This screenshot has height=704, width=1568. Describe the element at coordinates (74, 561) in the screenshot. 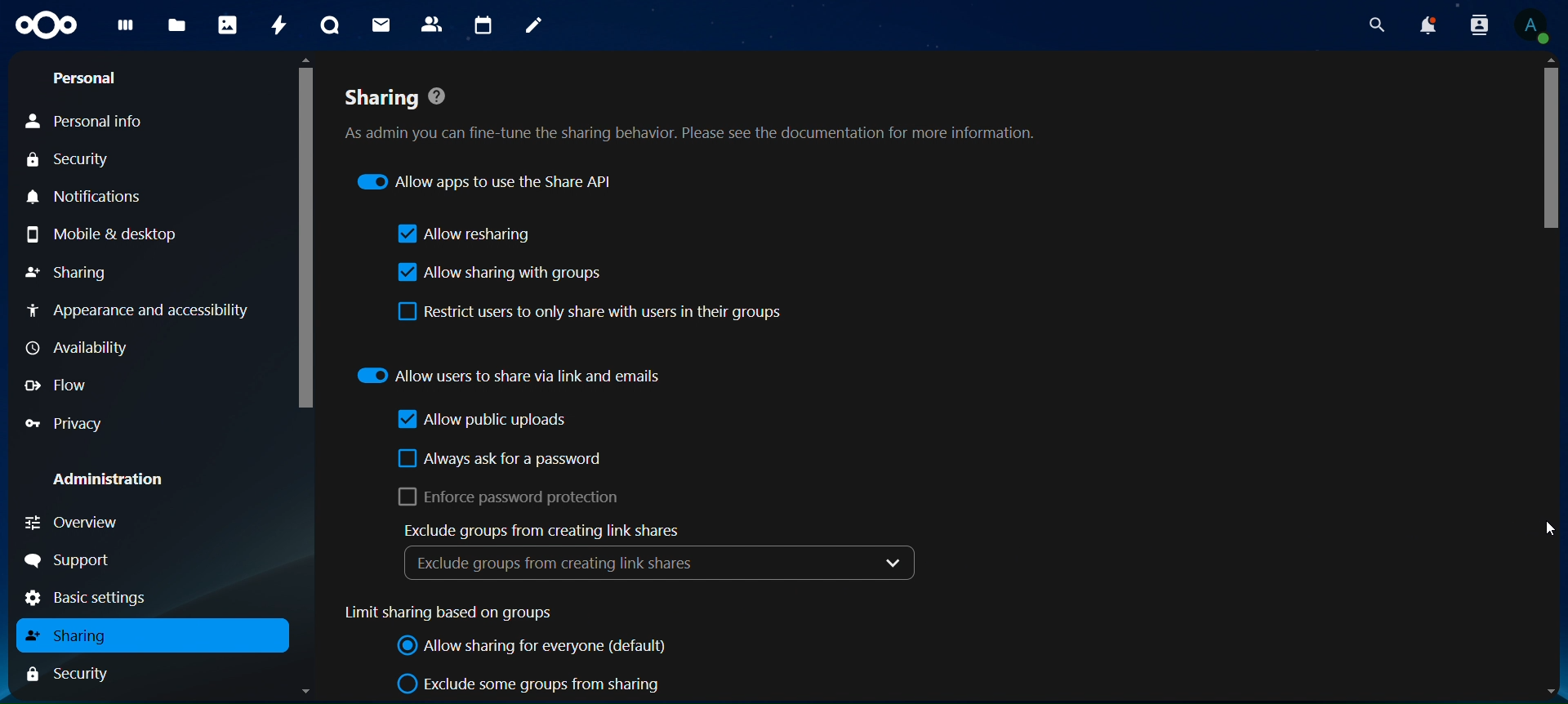

I see `support` at that location.